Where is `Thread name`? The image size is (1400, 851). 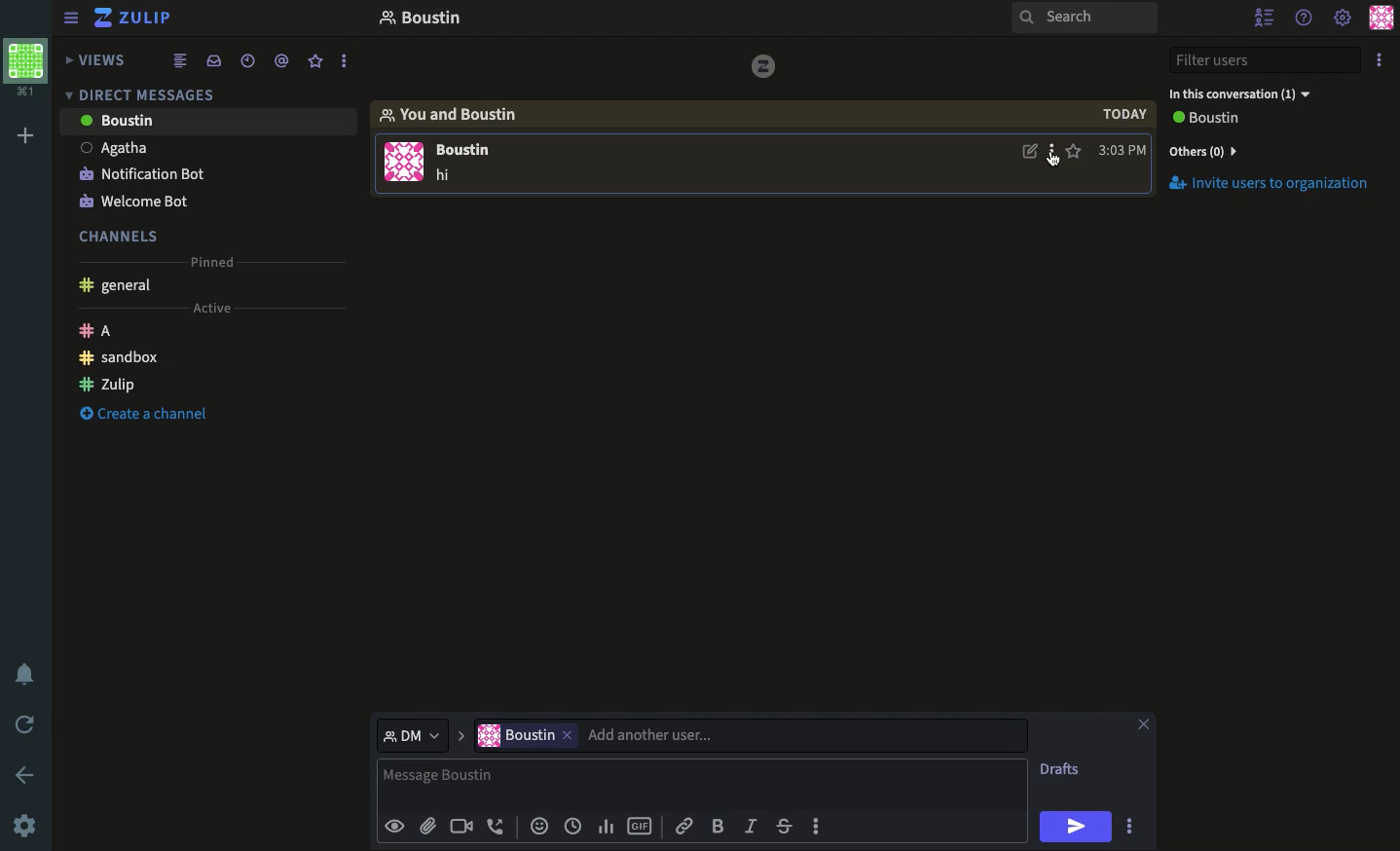 Thread name is located at coordinates (420, 20).